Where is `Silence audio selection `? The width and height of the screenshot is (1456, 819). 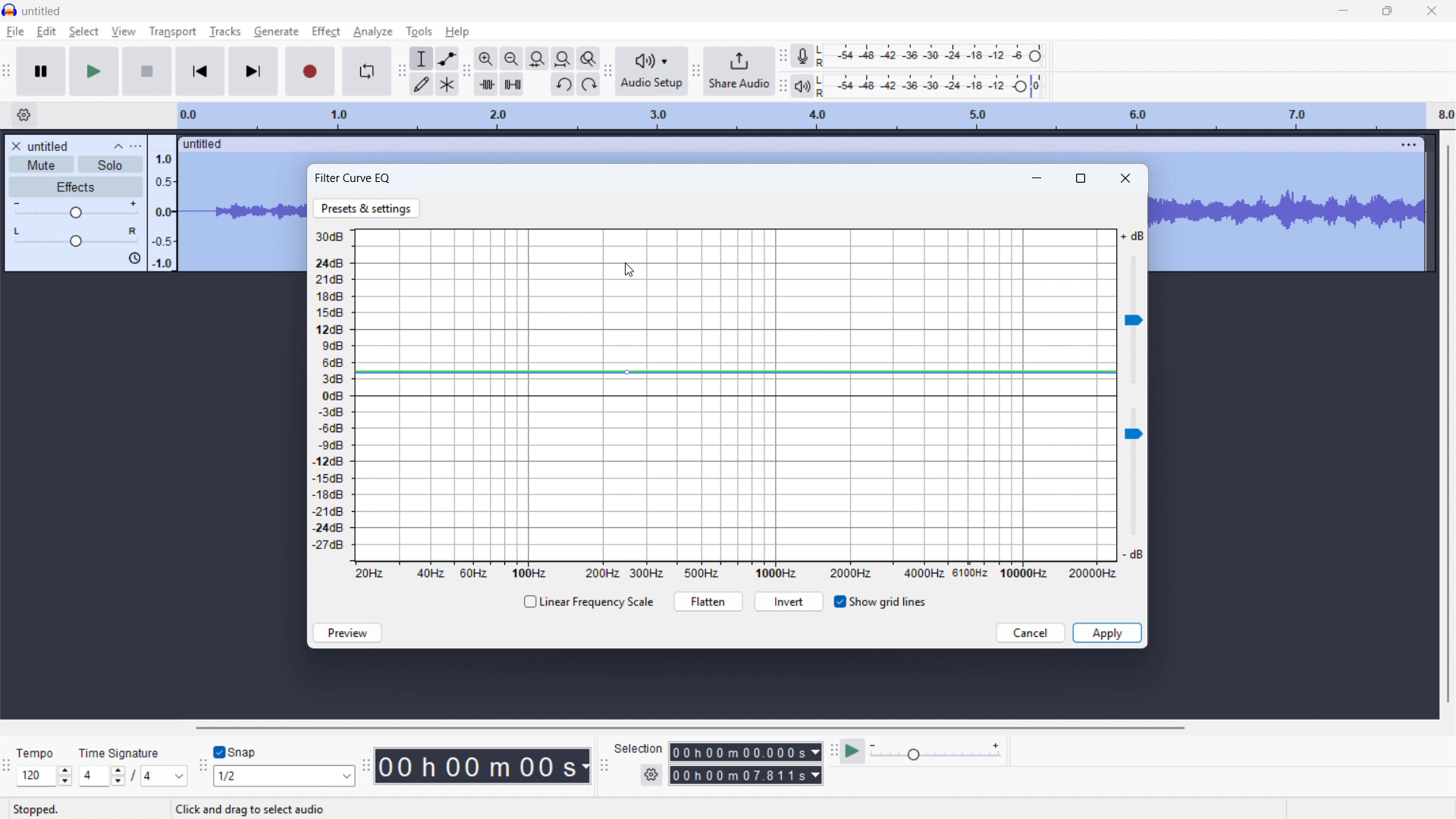
Silence audio selection  is located at coordinates (513, 85).